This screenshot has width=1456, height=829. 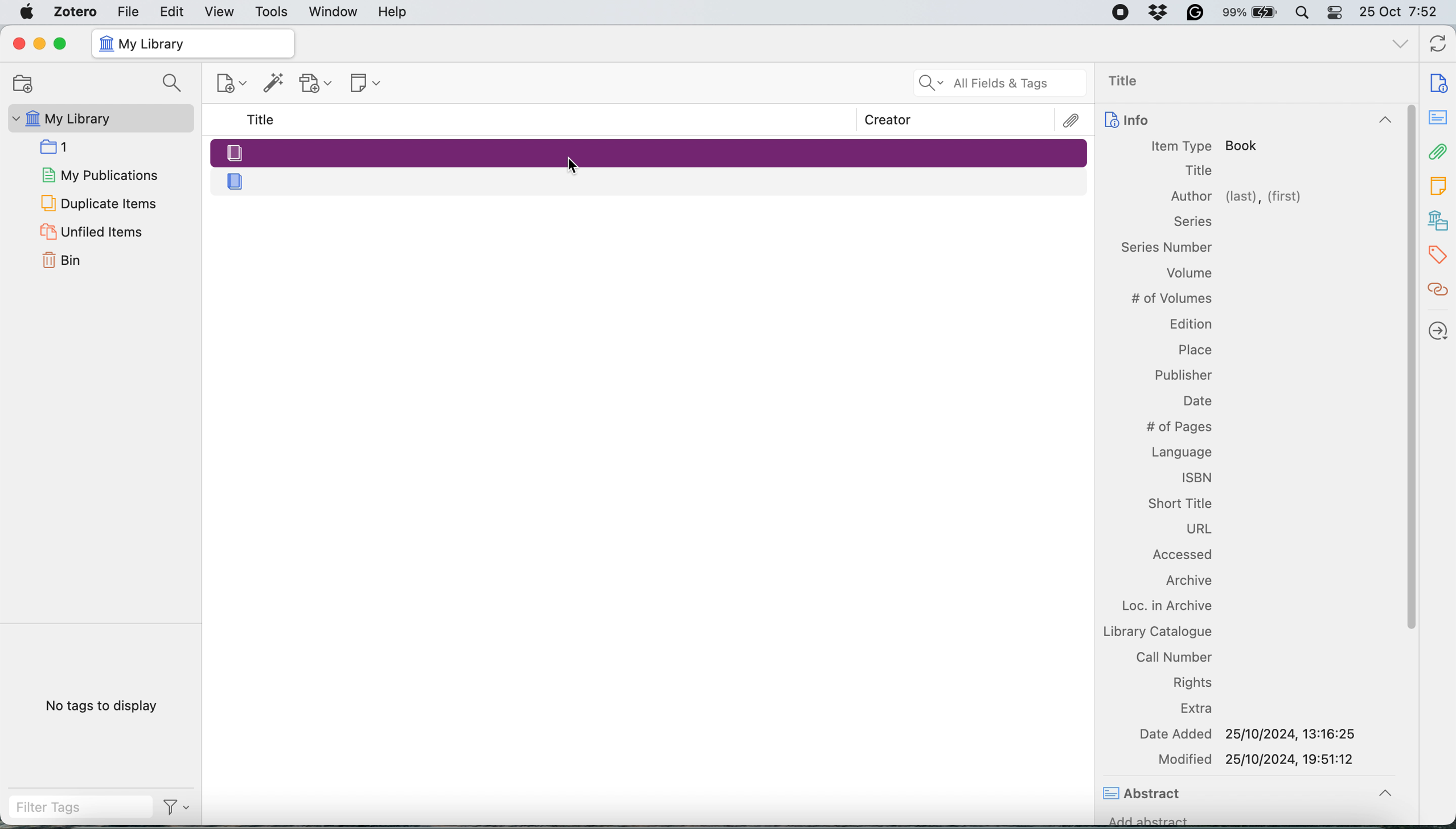 I want to click on Title, so click(x=1199, y=171).